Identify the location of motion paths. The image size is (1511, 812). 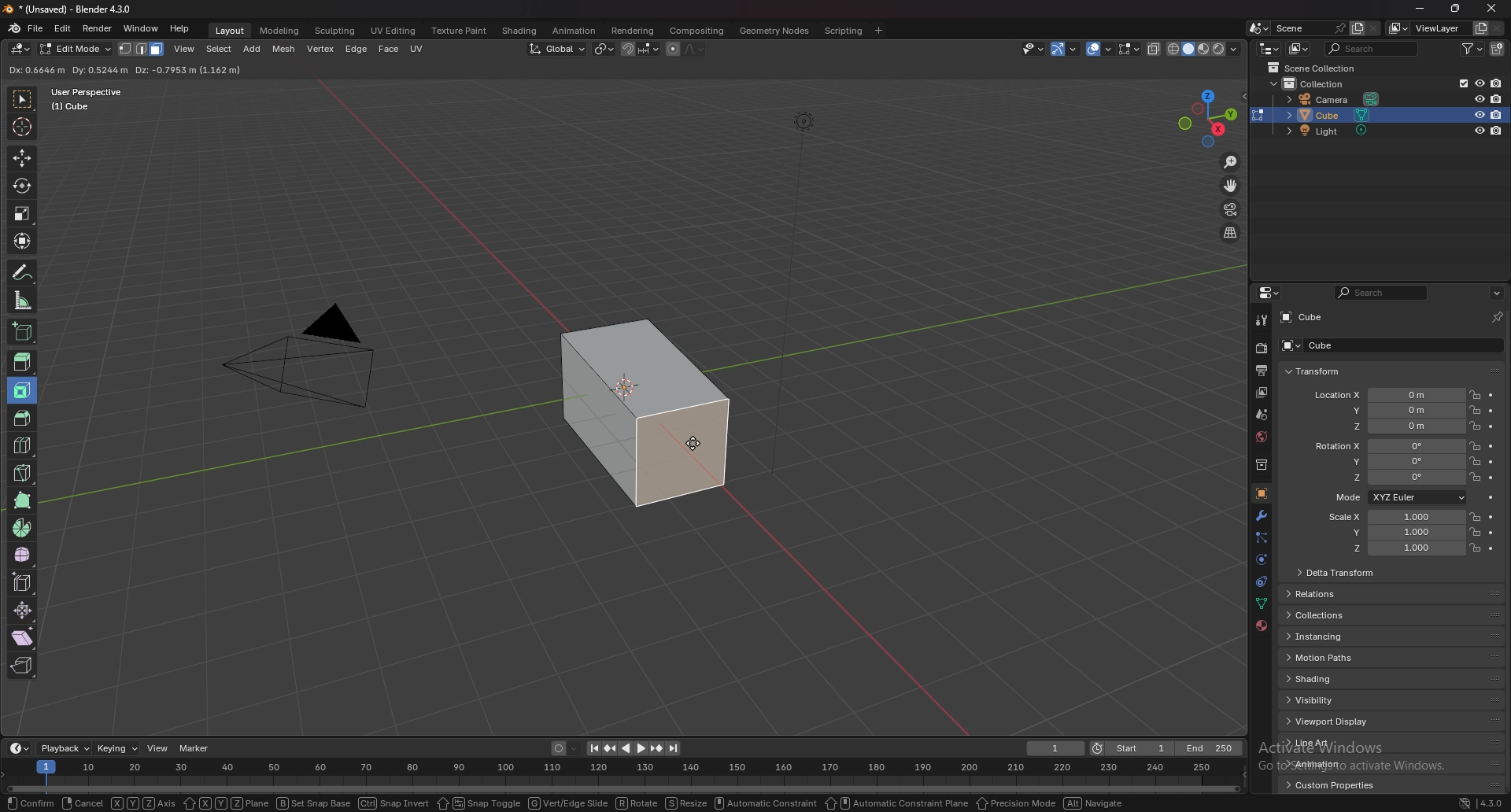
(1334, 657).